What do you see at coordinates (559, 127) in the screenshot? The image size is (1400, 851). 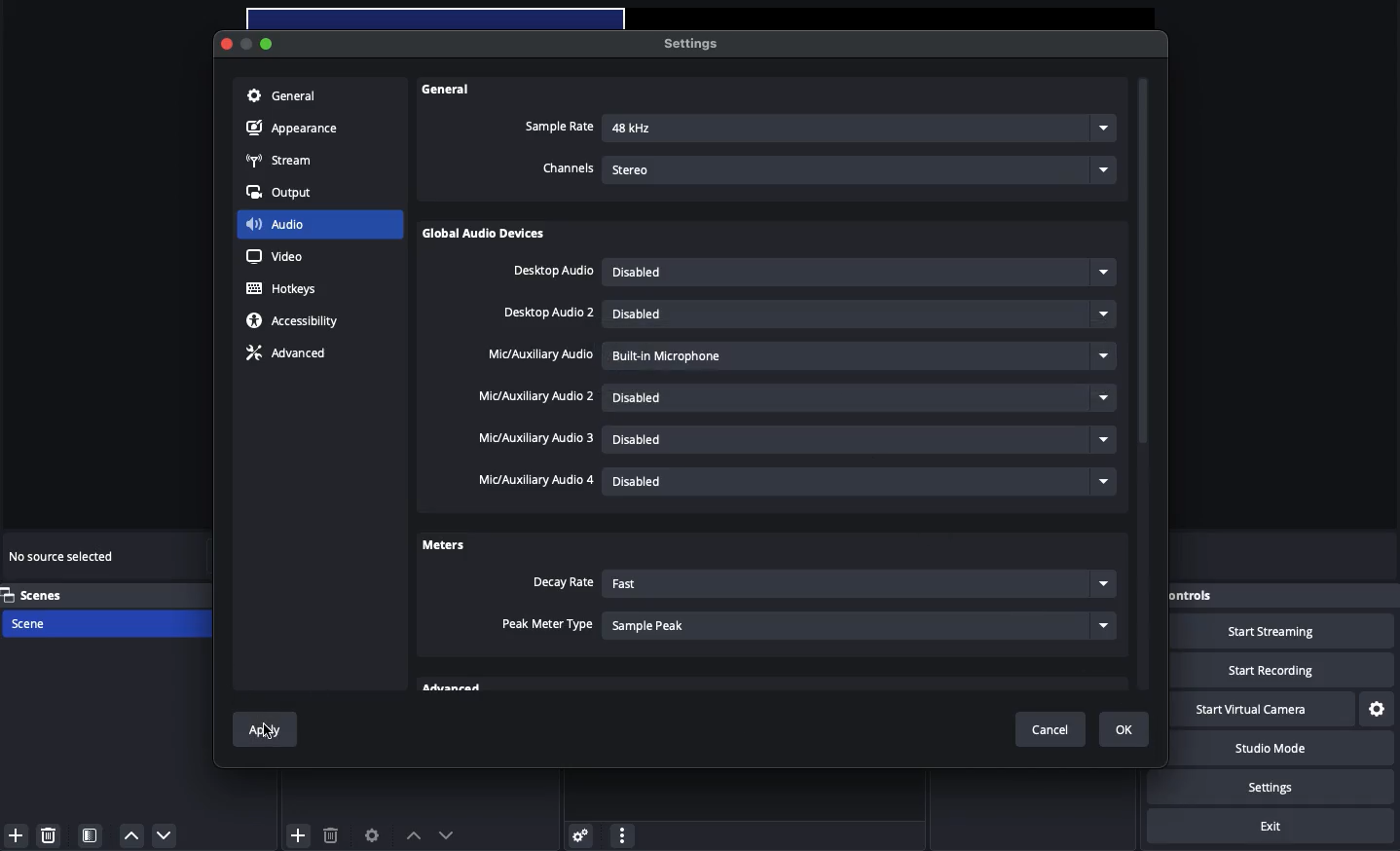 I see `Sample rate` at bounding box center [559, 127].